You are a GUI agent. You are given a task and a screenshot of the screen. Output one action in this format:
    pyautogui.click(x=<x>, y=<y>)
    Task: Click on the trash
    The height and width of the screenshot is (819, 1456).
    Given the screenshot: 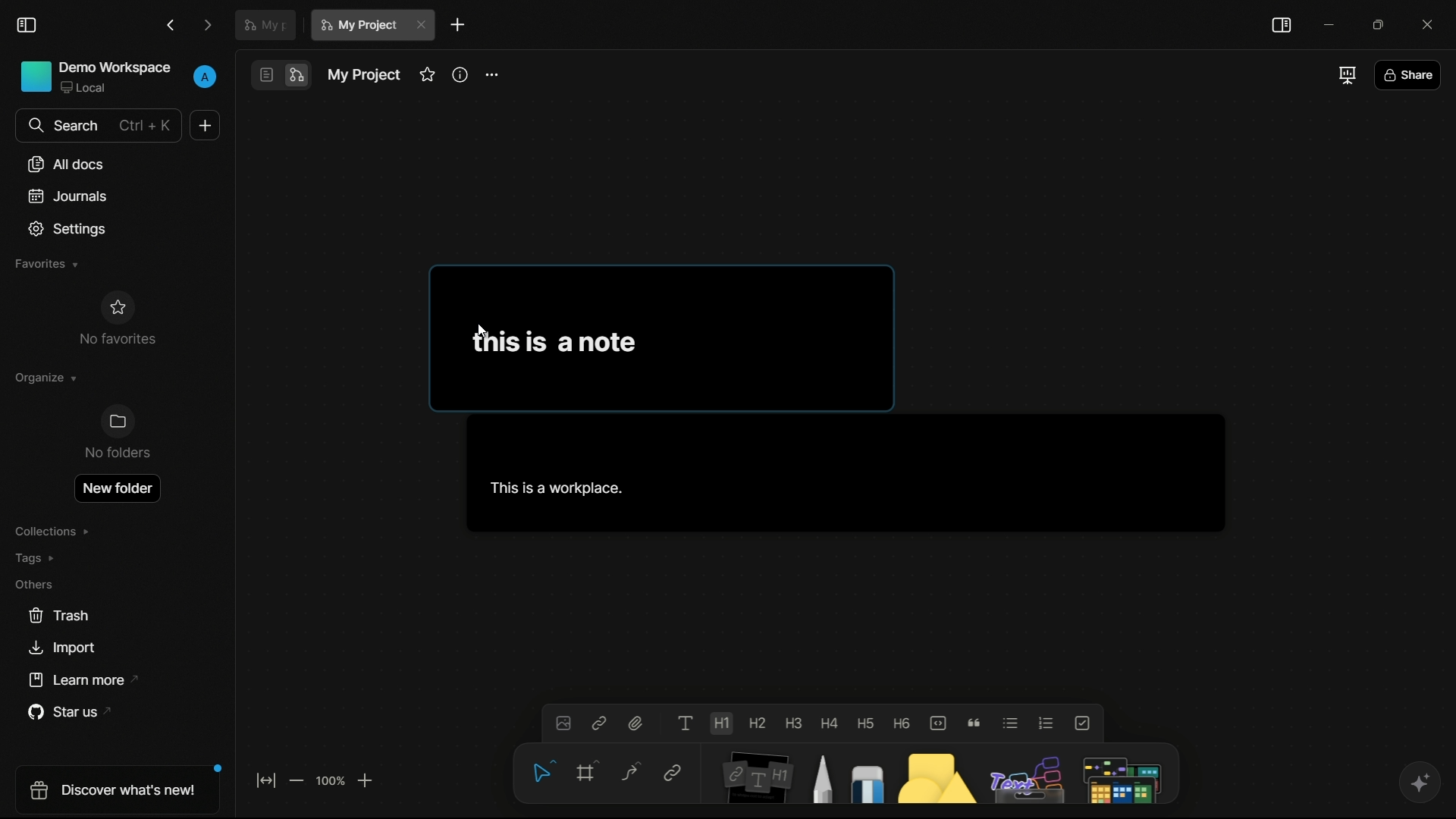 What is the action you would take?
    pyautogui.click(x=56, y=616)
    